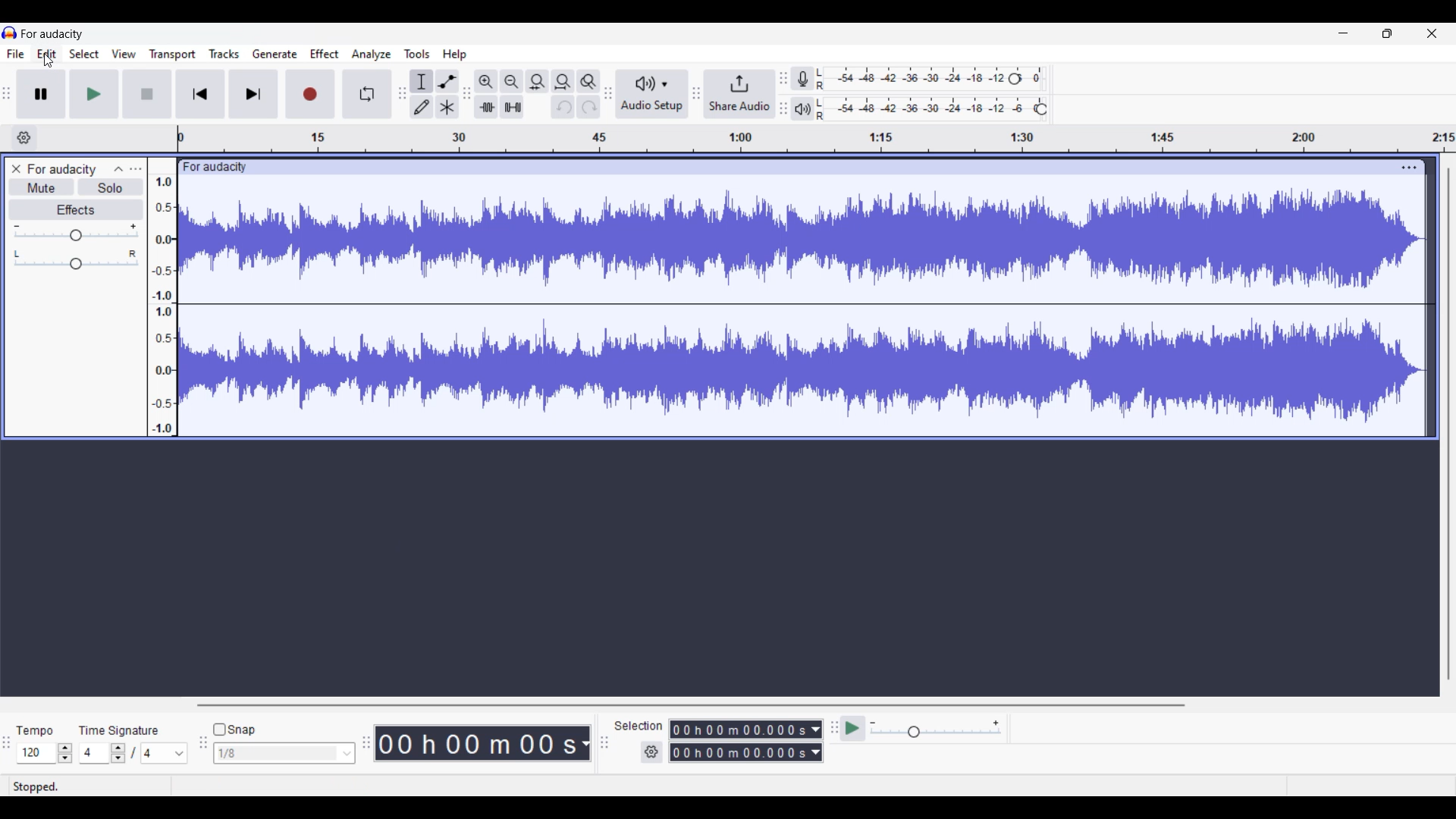 The height and width of the screenshot is (819, 1456). I want to click on View menu, so click(124, 54).